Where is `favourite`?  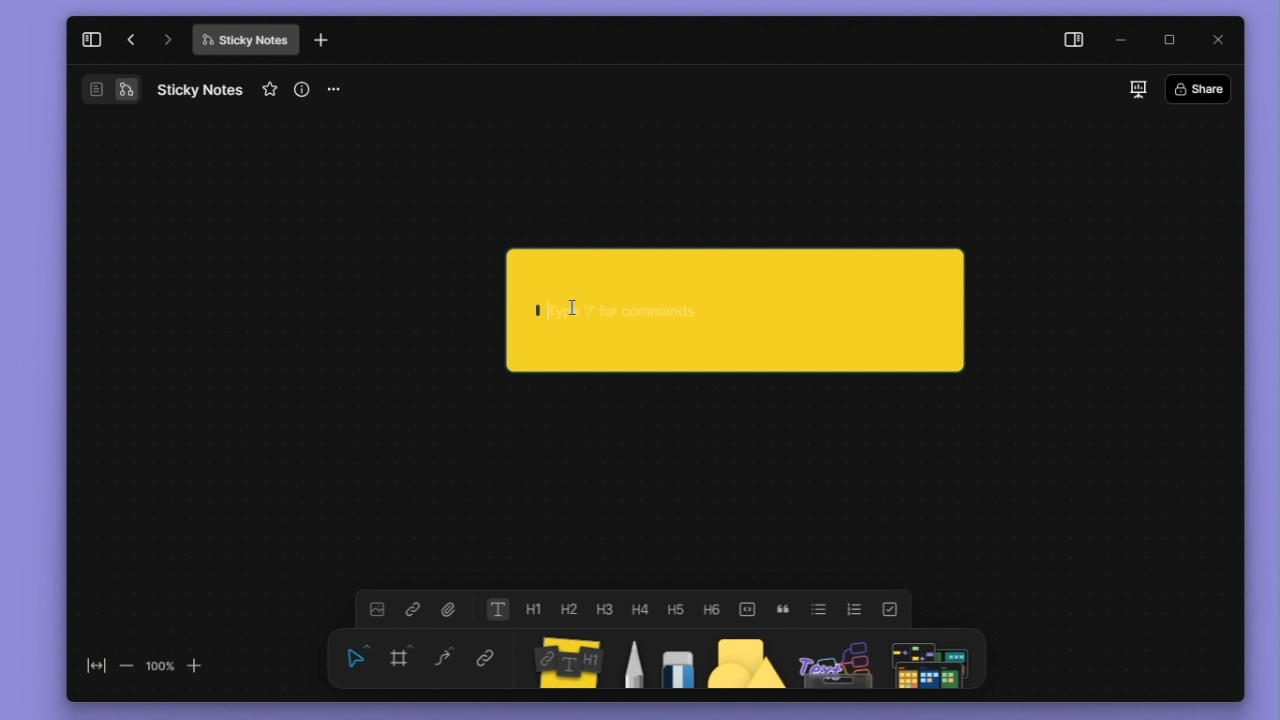 favourite is located at coordinates (270, 92).